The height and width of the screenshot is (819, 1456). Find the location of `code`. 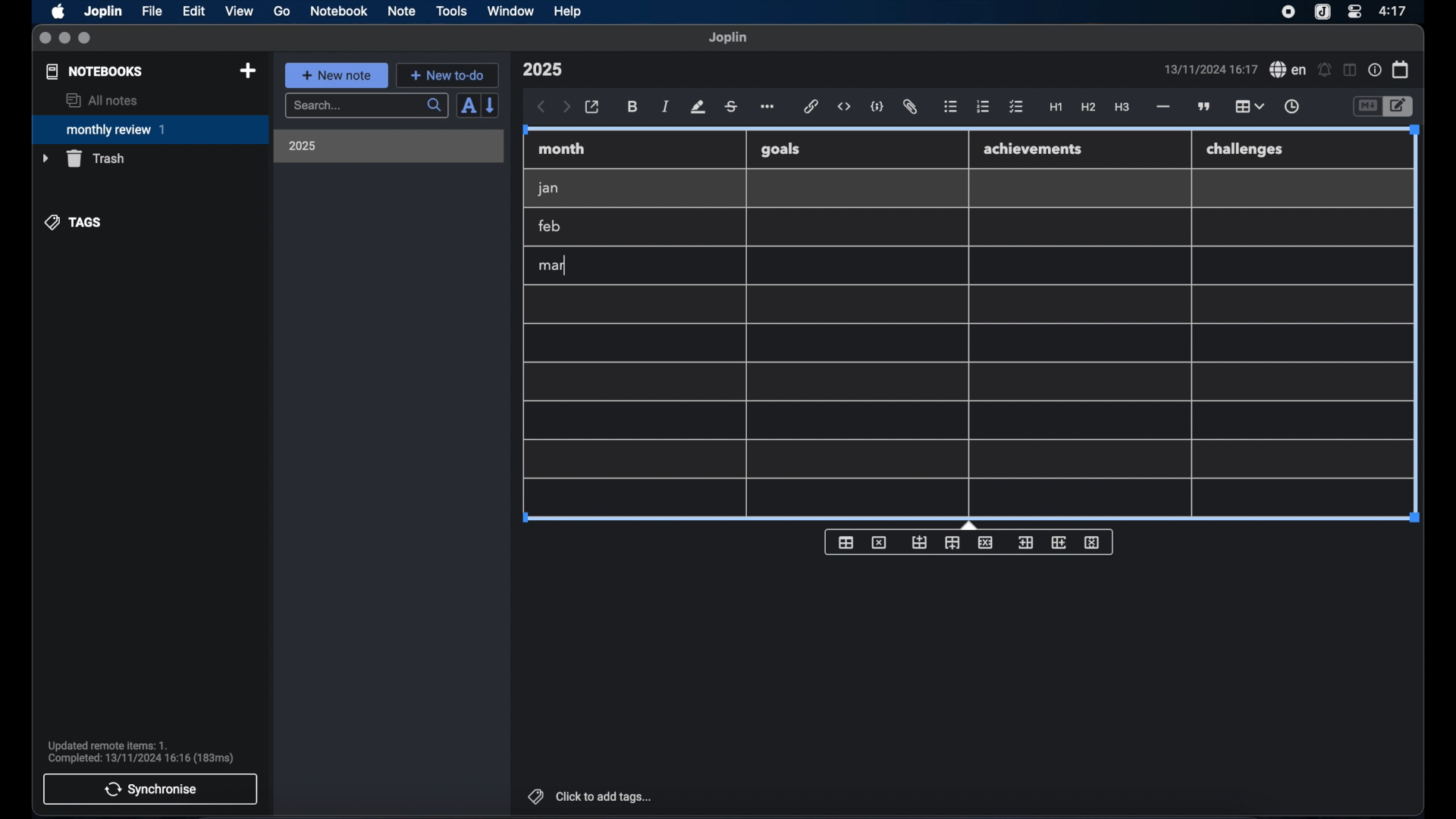

code is located at coordinates (877, 108).